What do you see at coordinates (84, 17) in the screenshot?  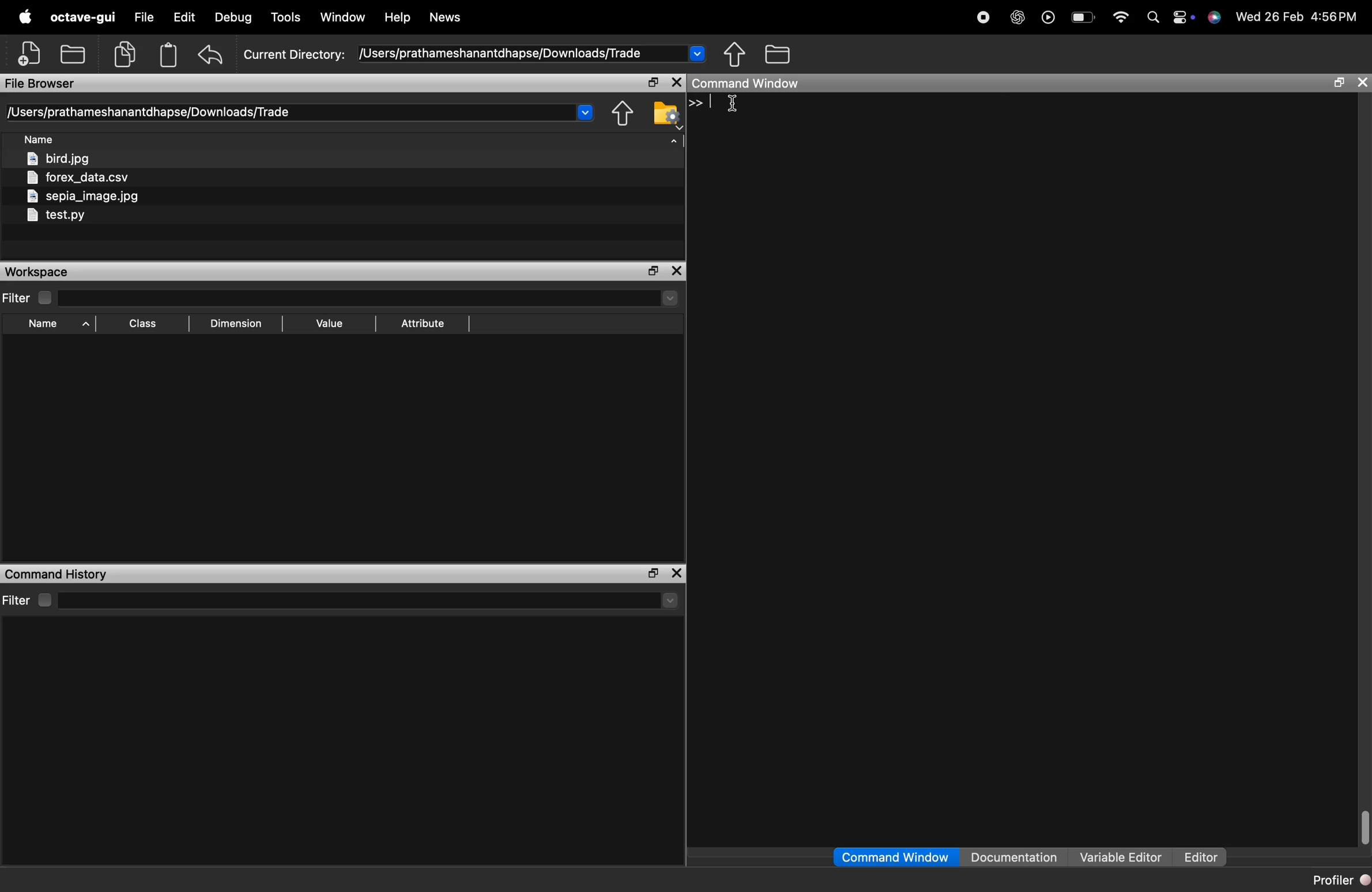 I see `octave-gui` at bounding box center [84, 17].